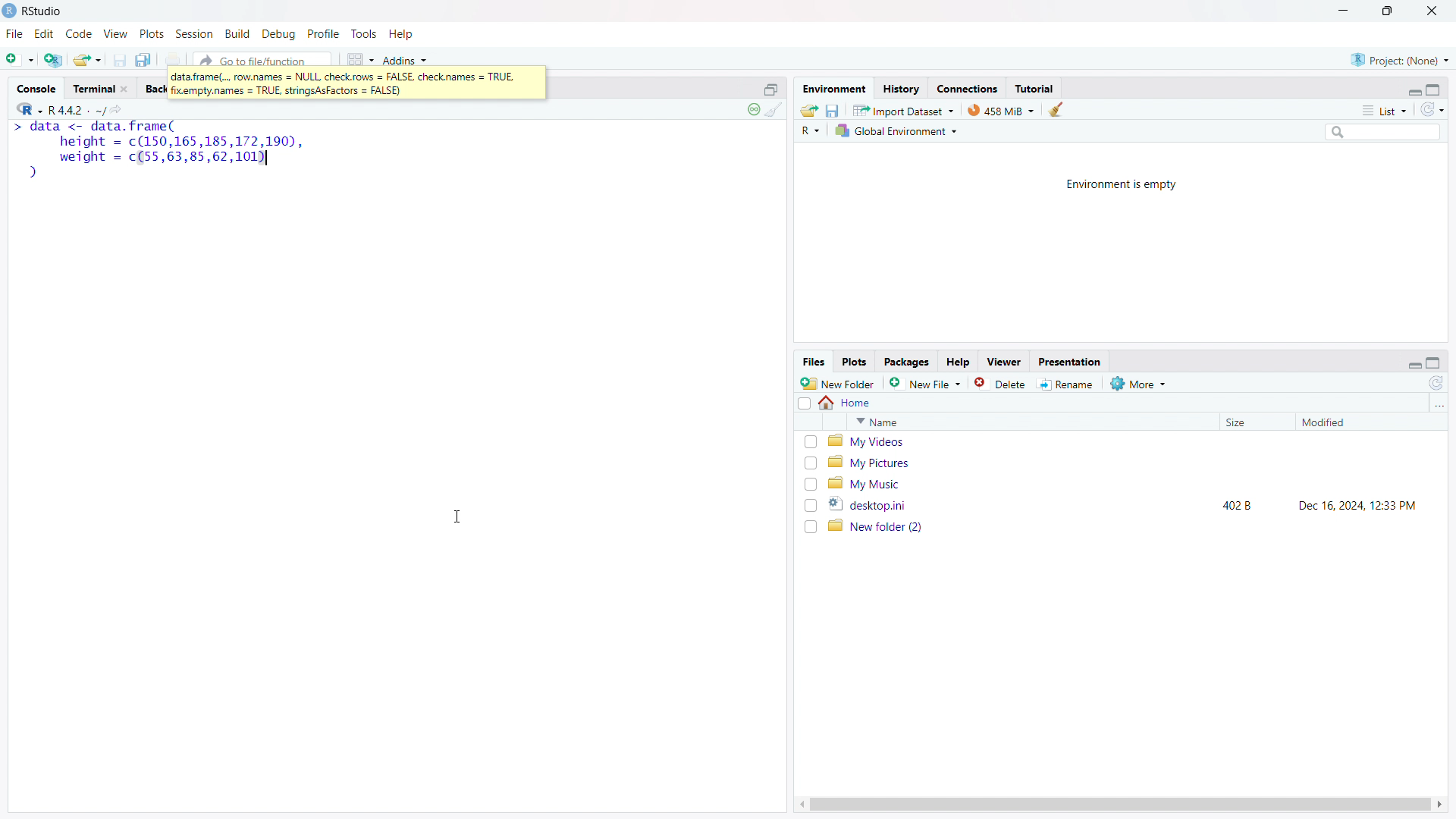 This screenshot has height=819, width=1456. Describe the element at coordinates (29, 108) in the screenshot. I see `select programming language` at that location.